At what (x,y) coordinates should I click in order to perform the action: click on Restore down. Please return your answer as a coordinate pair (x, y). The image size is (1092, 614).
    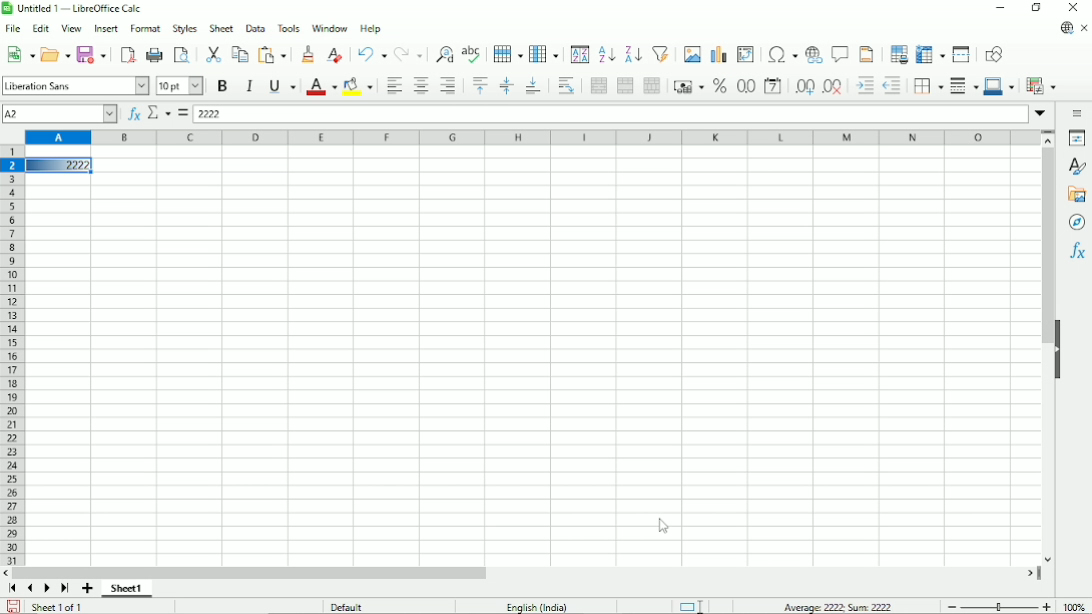
    Looking at the image, I should click on (1038, 7).